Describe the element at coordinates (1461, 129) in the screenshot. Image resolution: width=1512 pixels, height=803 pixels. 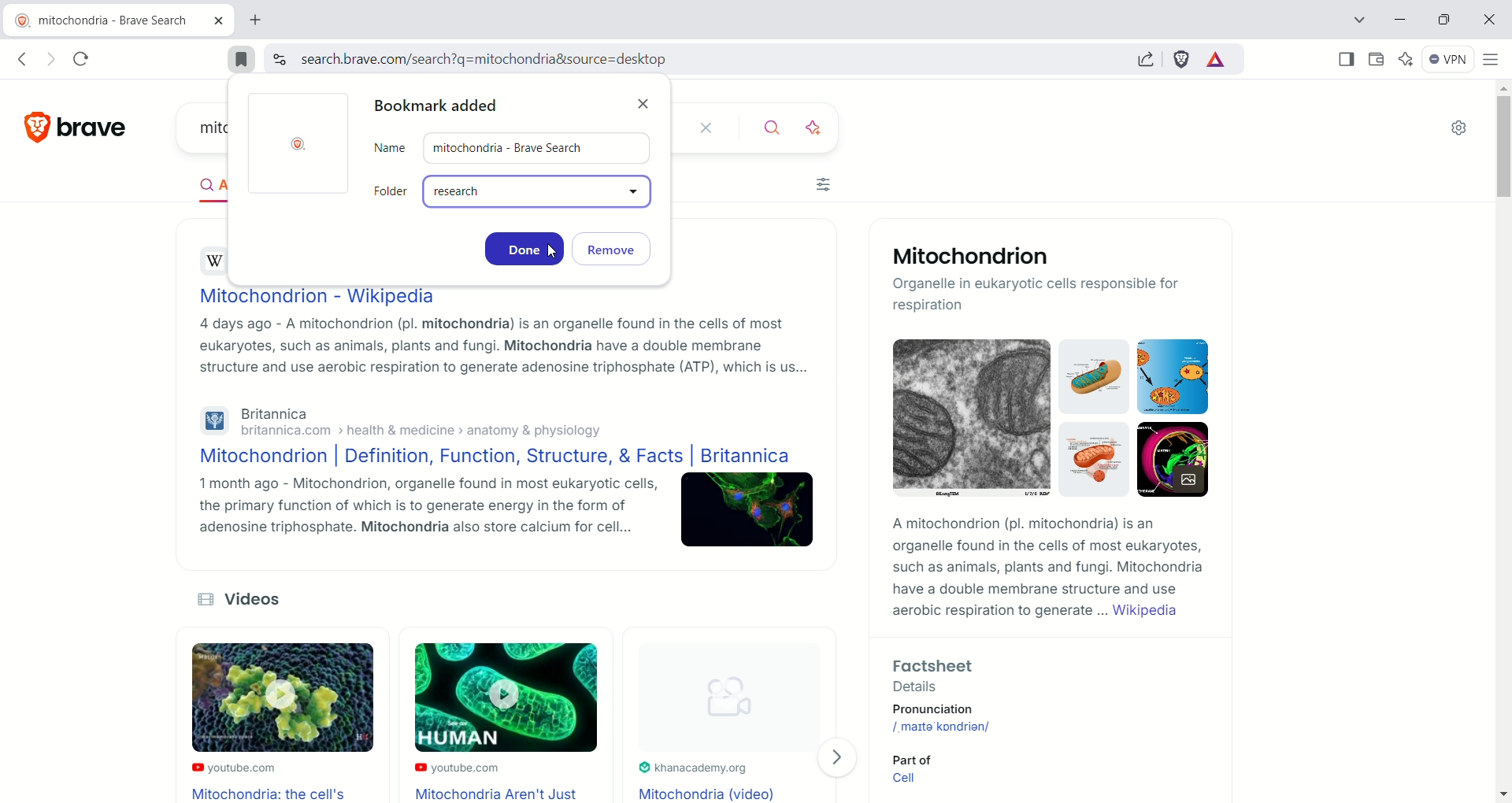
I see `settings` at that location.